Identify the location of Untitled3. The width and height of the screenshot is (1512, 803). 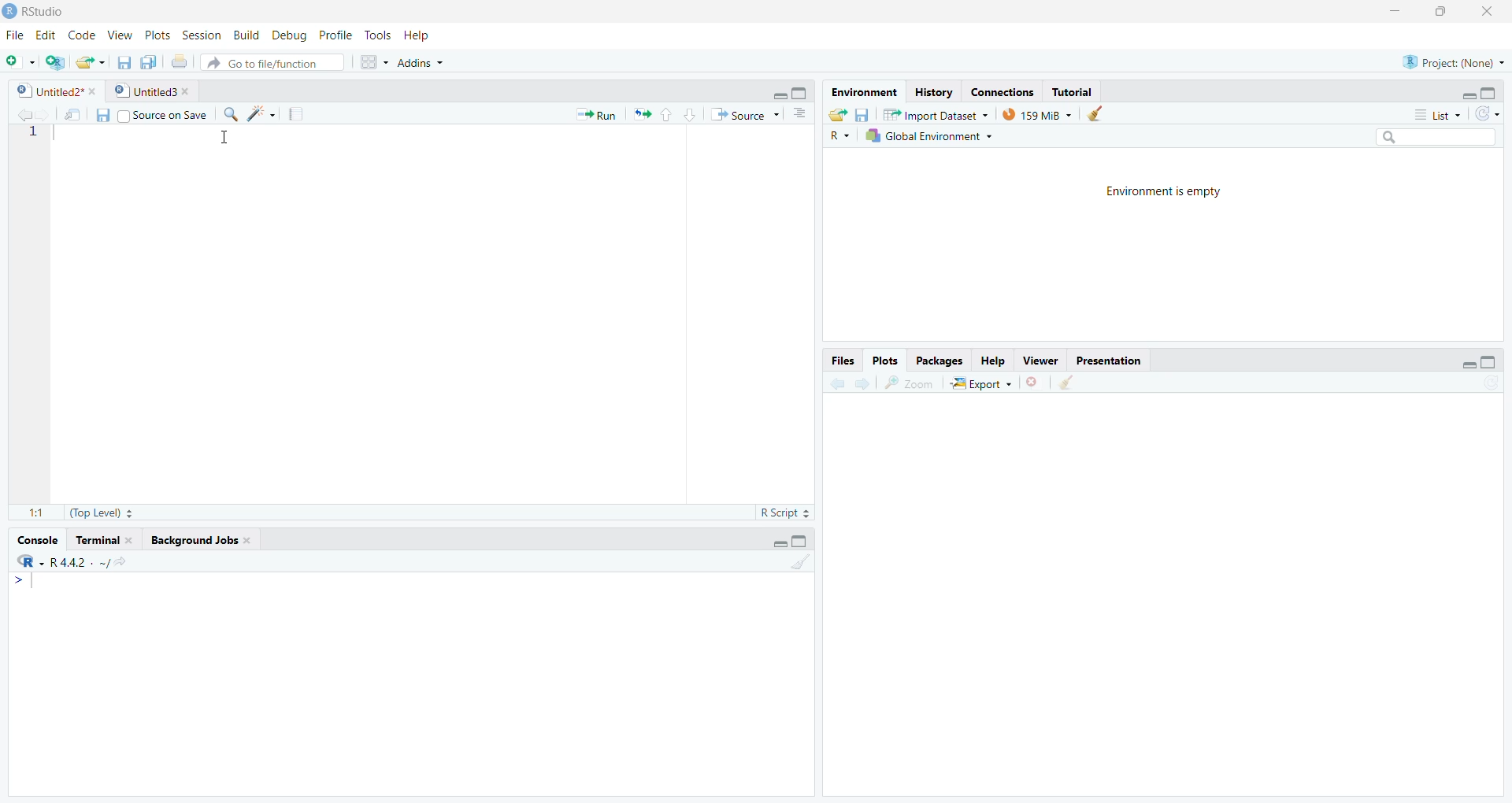
(154, 91).